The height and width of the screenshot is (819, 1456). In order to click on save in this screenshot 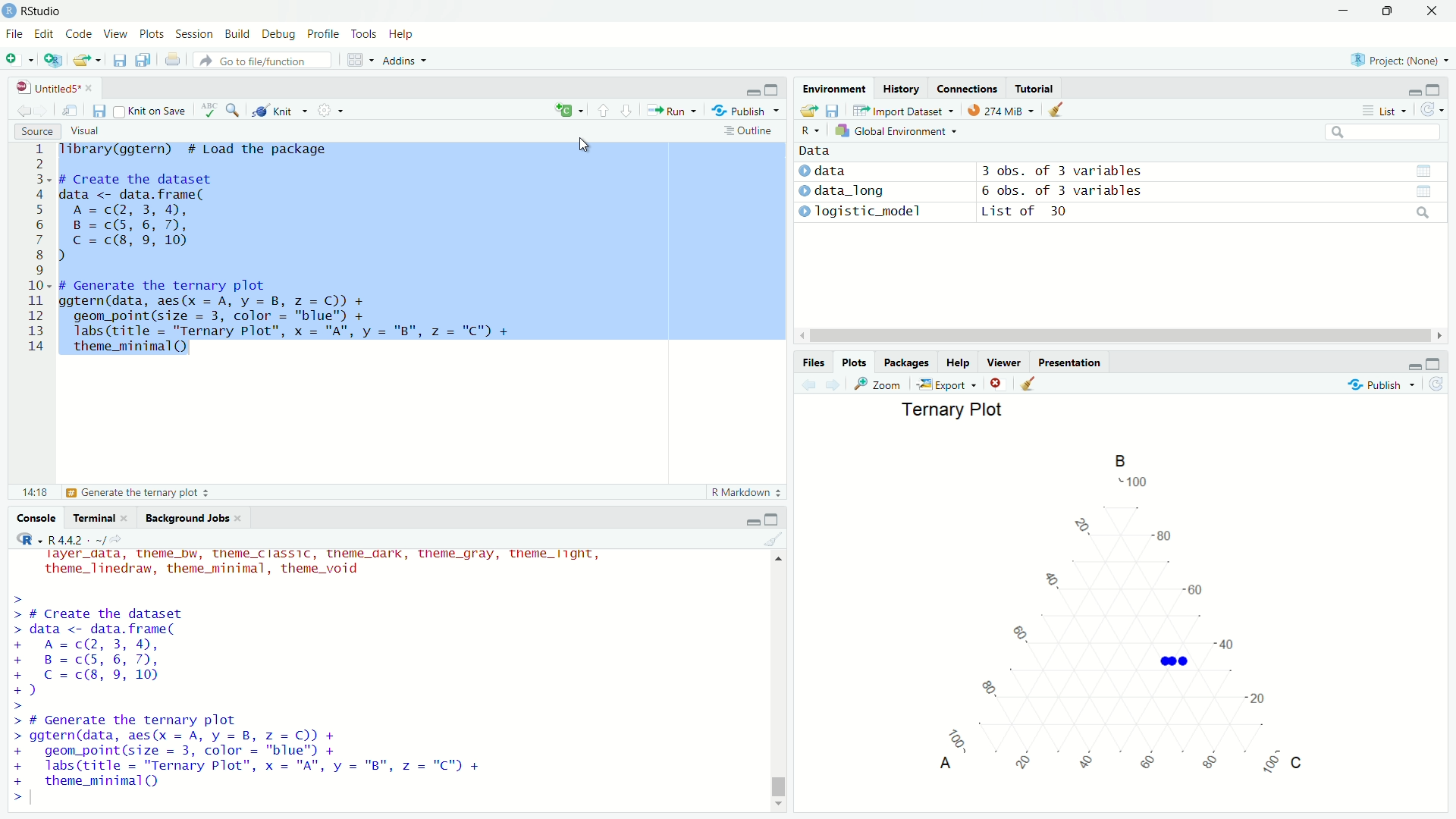, I will do `click(118, 63)`.